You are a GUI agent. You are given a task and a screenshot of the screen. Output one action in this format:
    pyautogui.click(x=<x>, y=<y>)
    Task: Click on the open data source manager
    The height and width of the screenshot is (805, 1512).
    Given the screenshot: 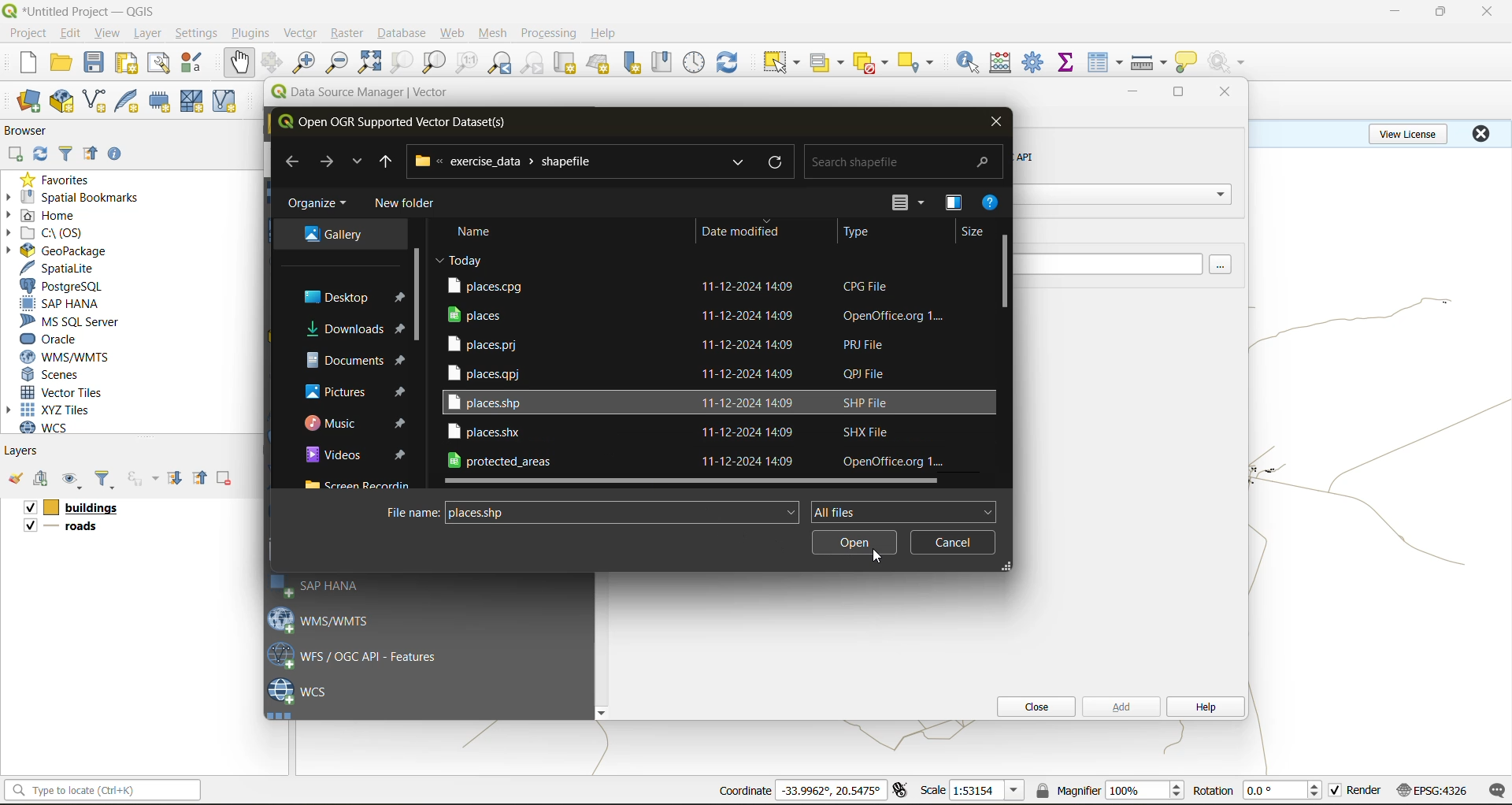 What is the action you would take?
    pyautogui.click(x=28, y=102)
    